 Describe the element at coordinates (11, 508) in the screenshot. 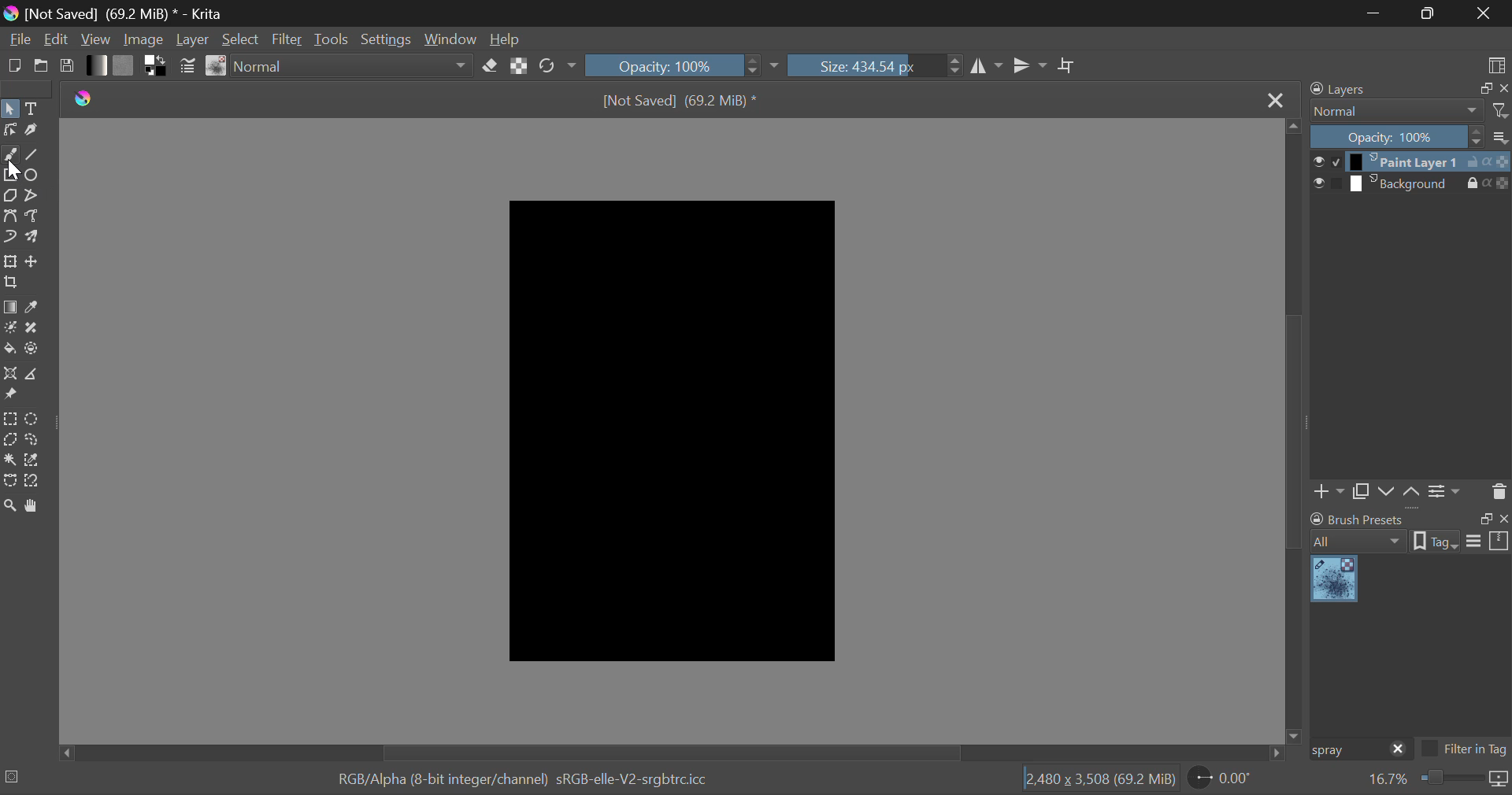

I see `Zoom` at that location.